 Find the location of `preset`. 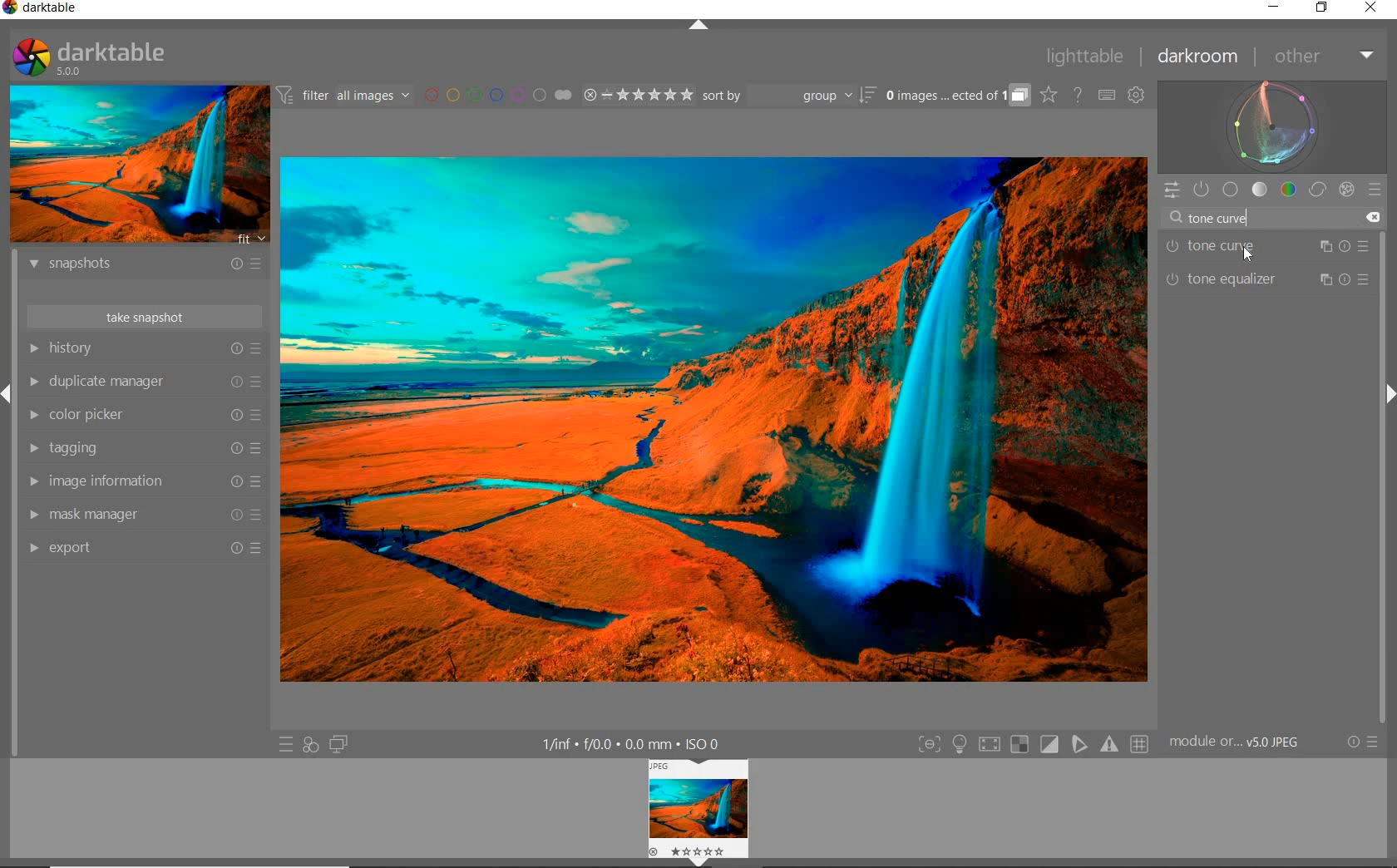

preset is located at coordinates (1376, 187).